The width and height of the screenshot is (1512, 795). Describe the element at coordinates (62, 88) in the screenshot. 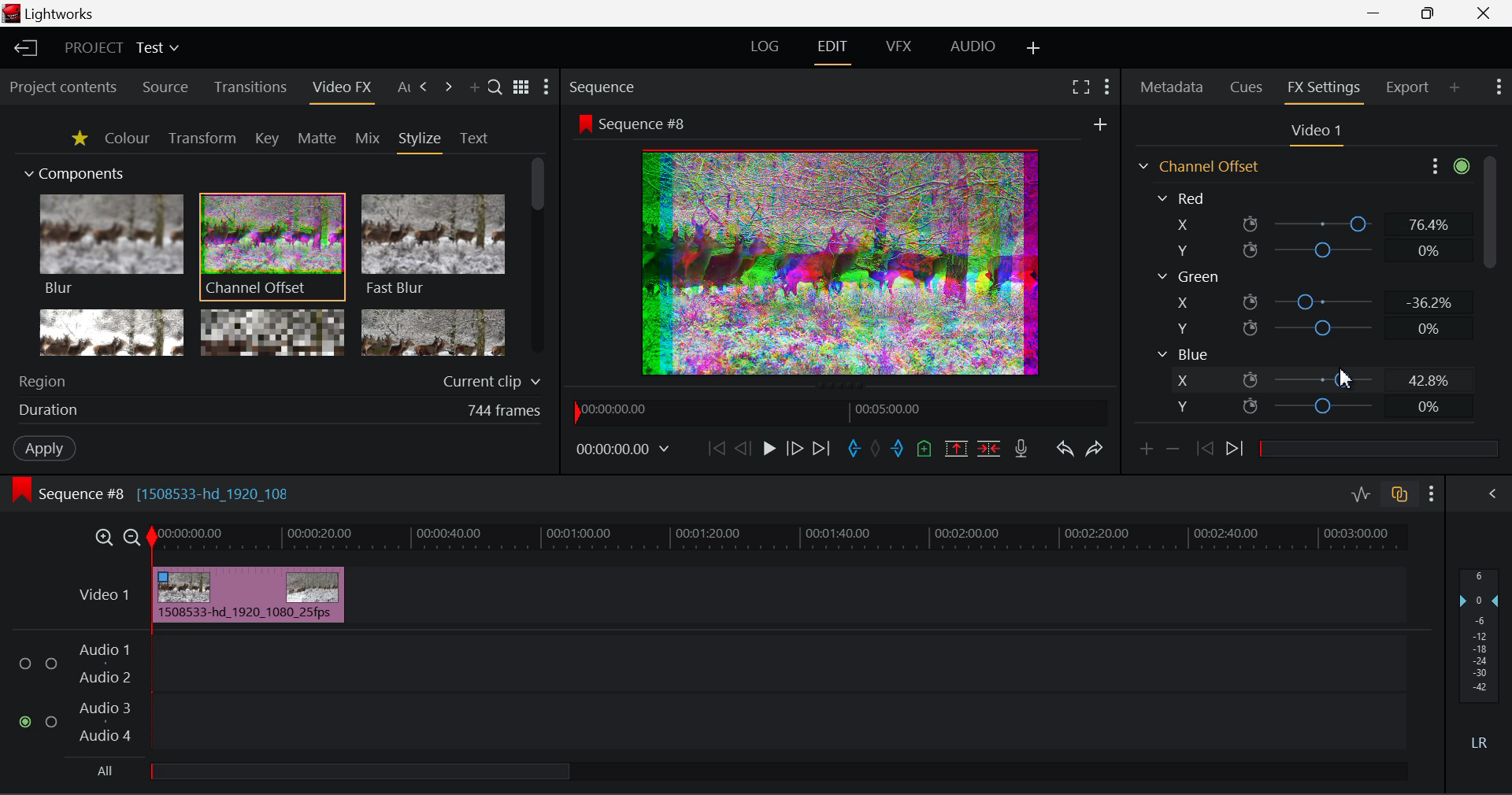

I see `Project contents` at that location.